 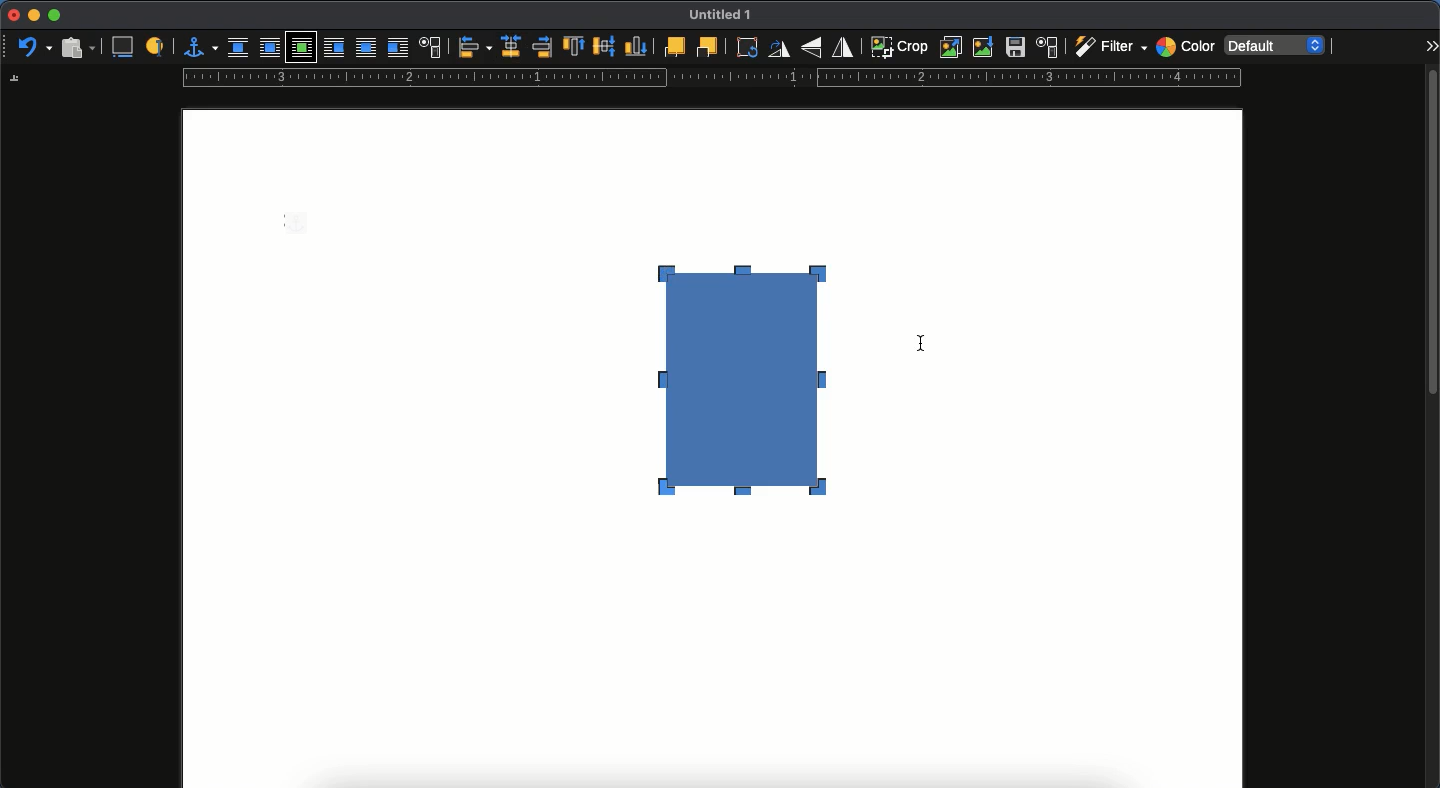 What do you see at coordinates (1277, 44) in the screenshot?
I see `default` at bounding box center [1277, 44].